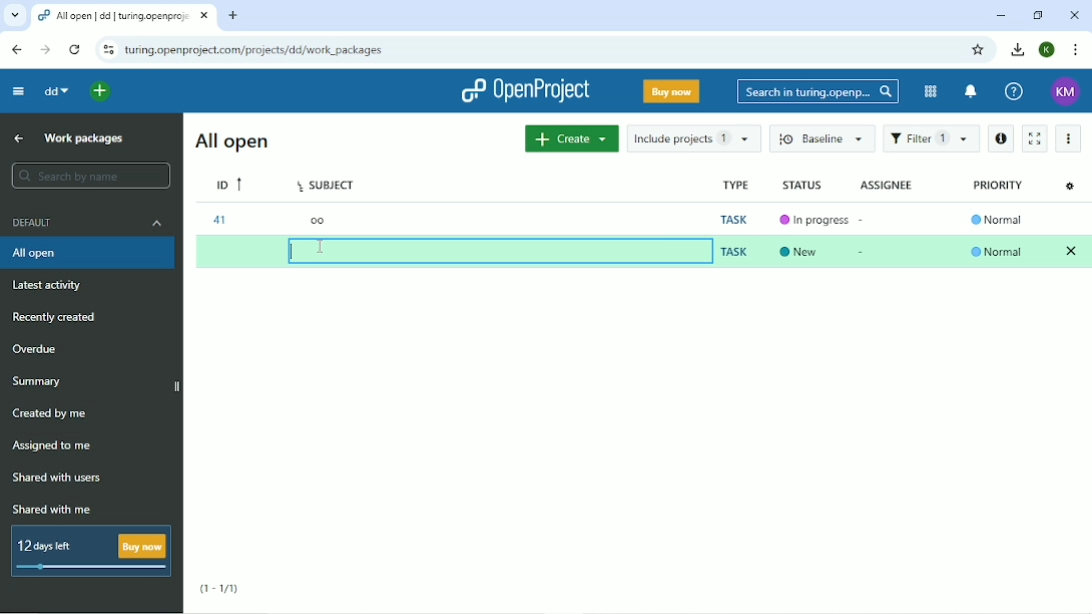  I want to click on Task, so click(734, 251).